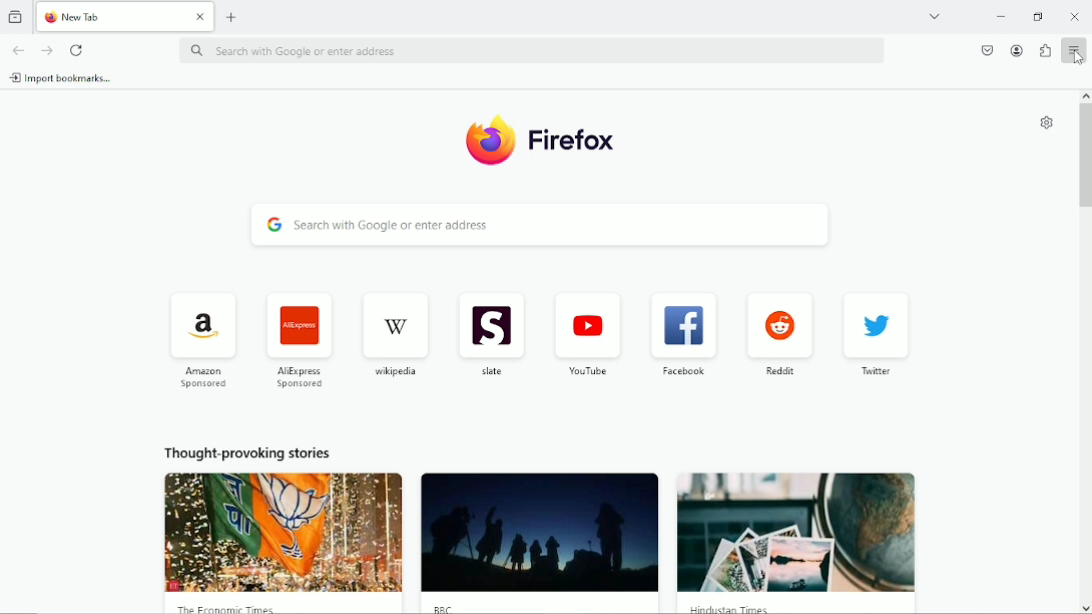  Describe the element at coordinates (492, 372) in the screenshot. I see `slate` at that location.